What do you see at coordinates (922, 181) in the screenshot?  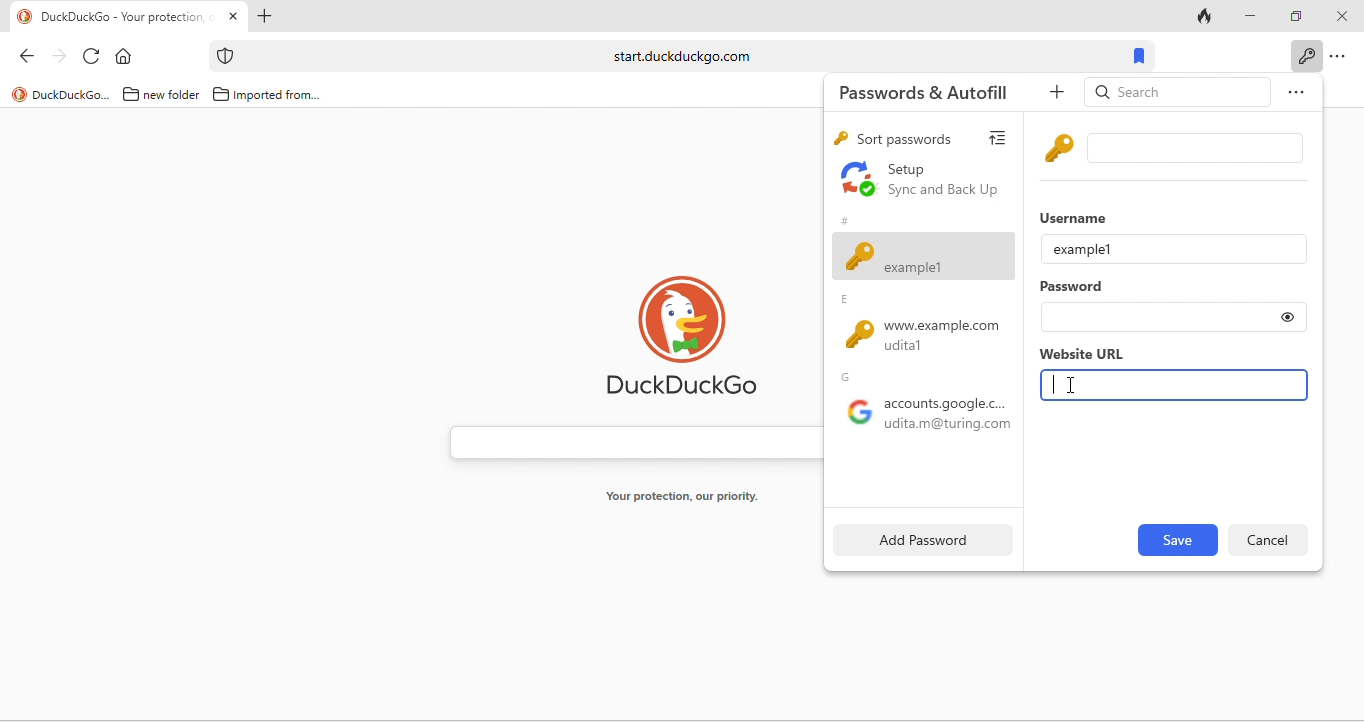 I see `set up` at bounding box center [922, 181].